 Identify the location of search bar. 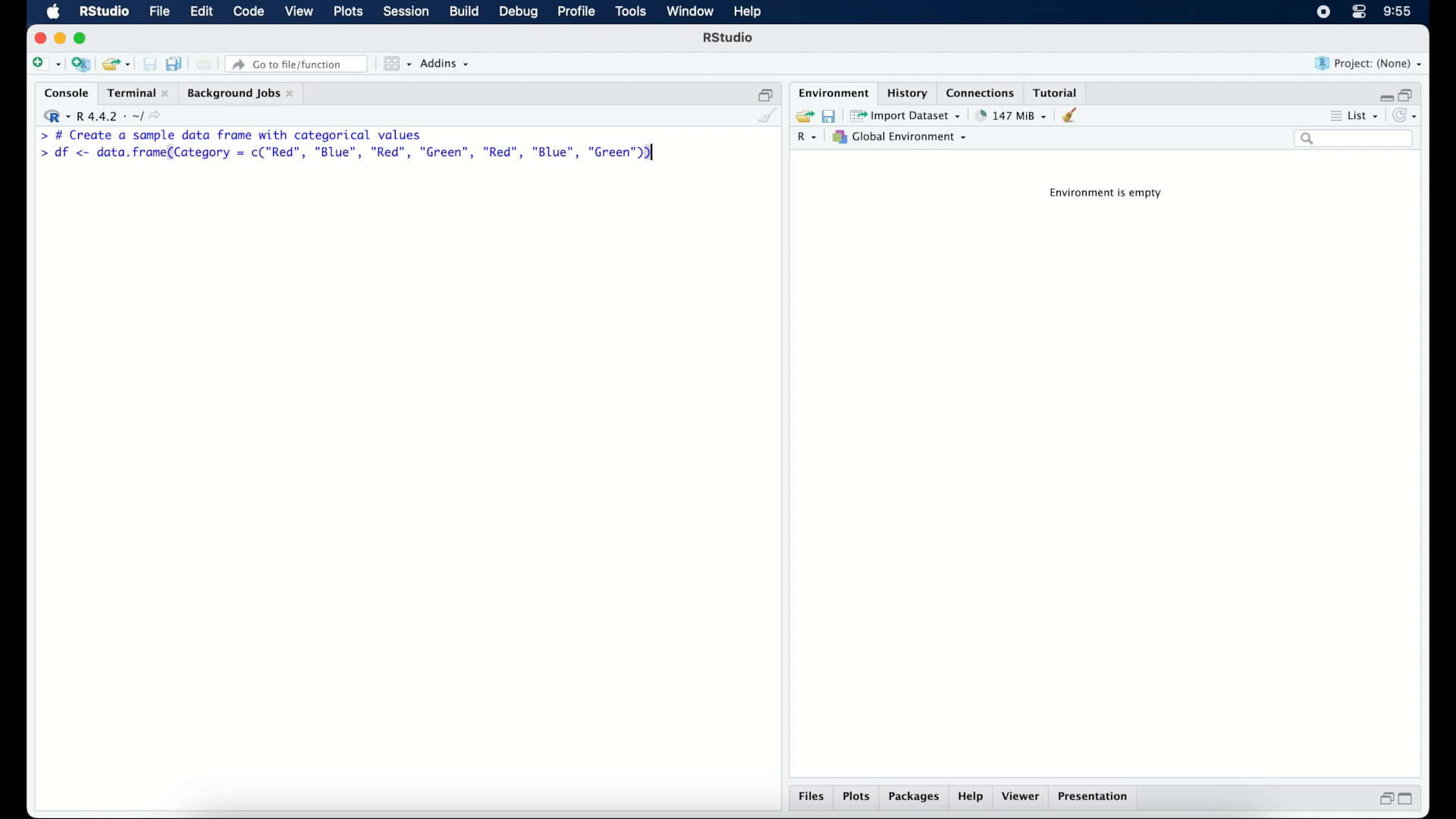
(1355, 140).